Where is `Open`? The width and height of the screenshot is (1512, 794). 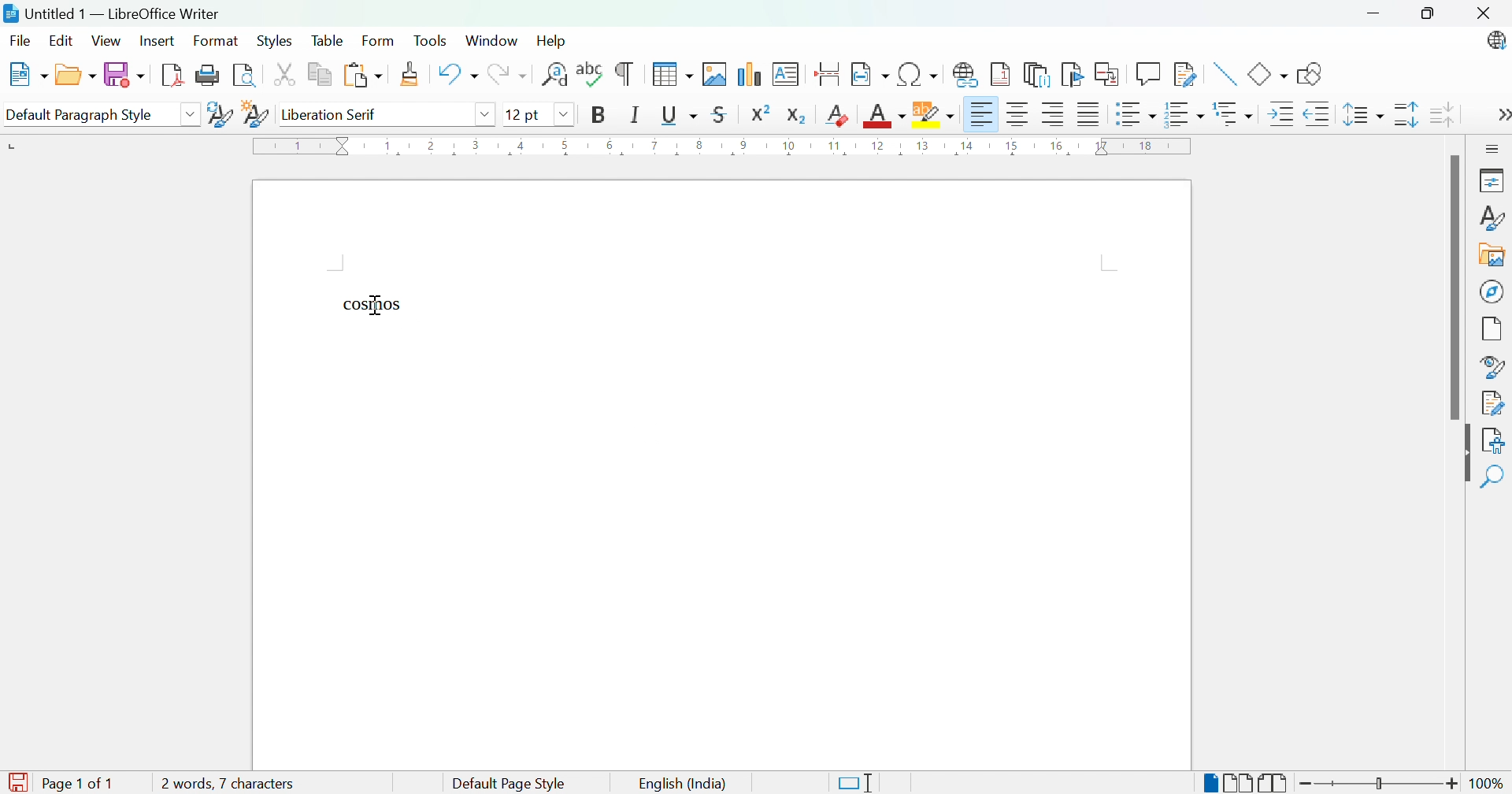
Open is located at coordinates (76, 76).